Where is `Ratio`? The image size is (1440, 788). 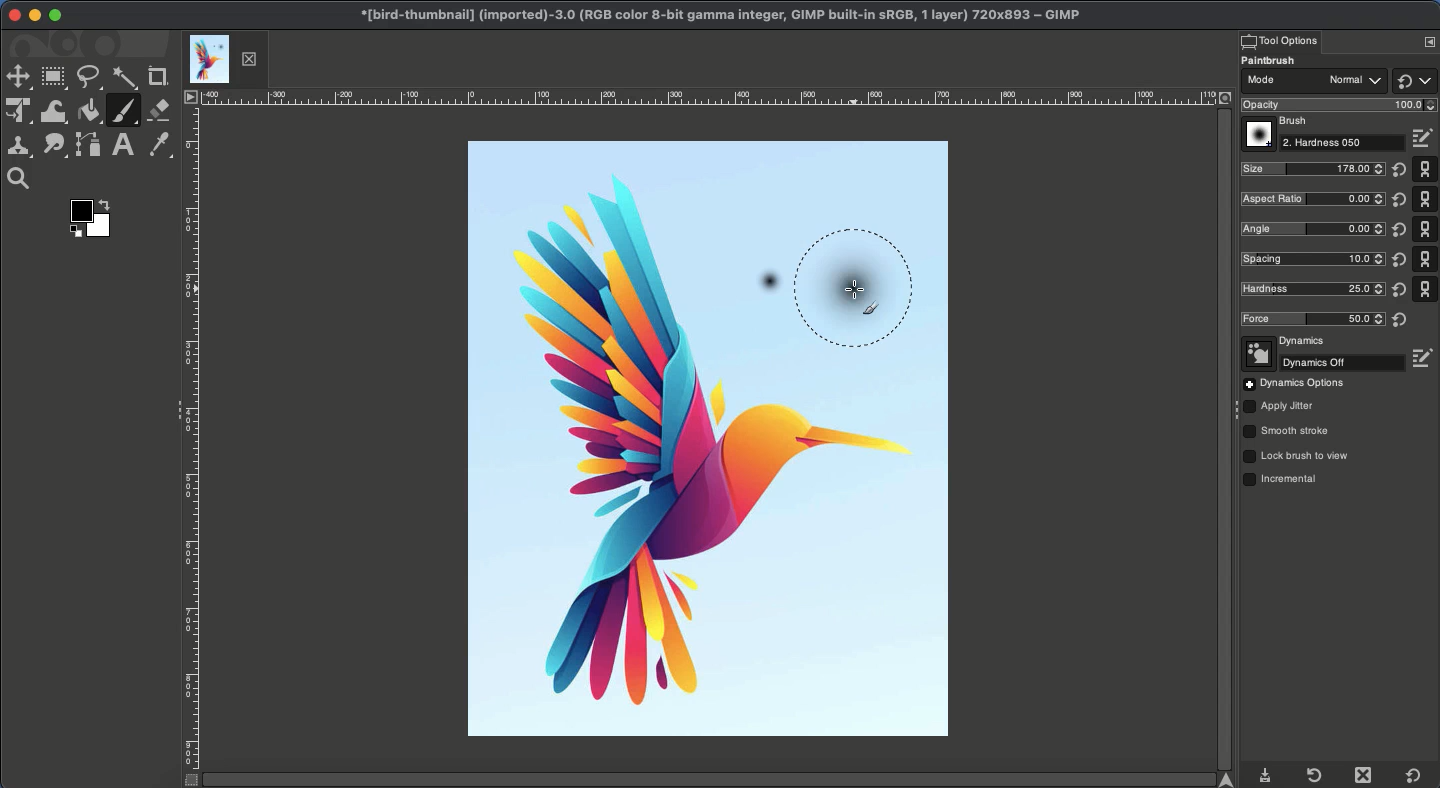 Ratio is located at coordinates (1314, 200).